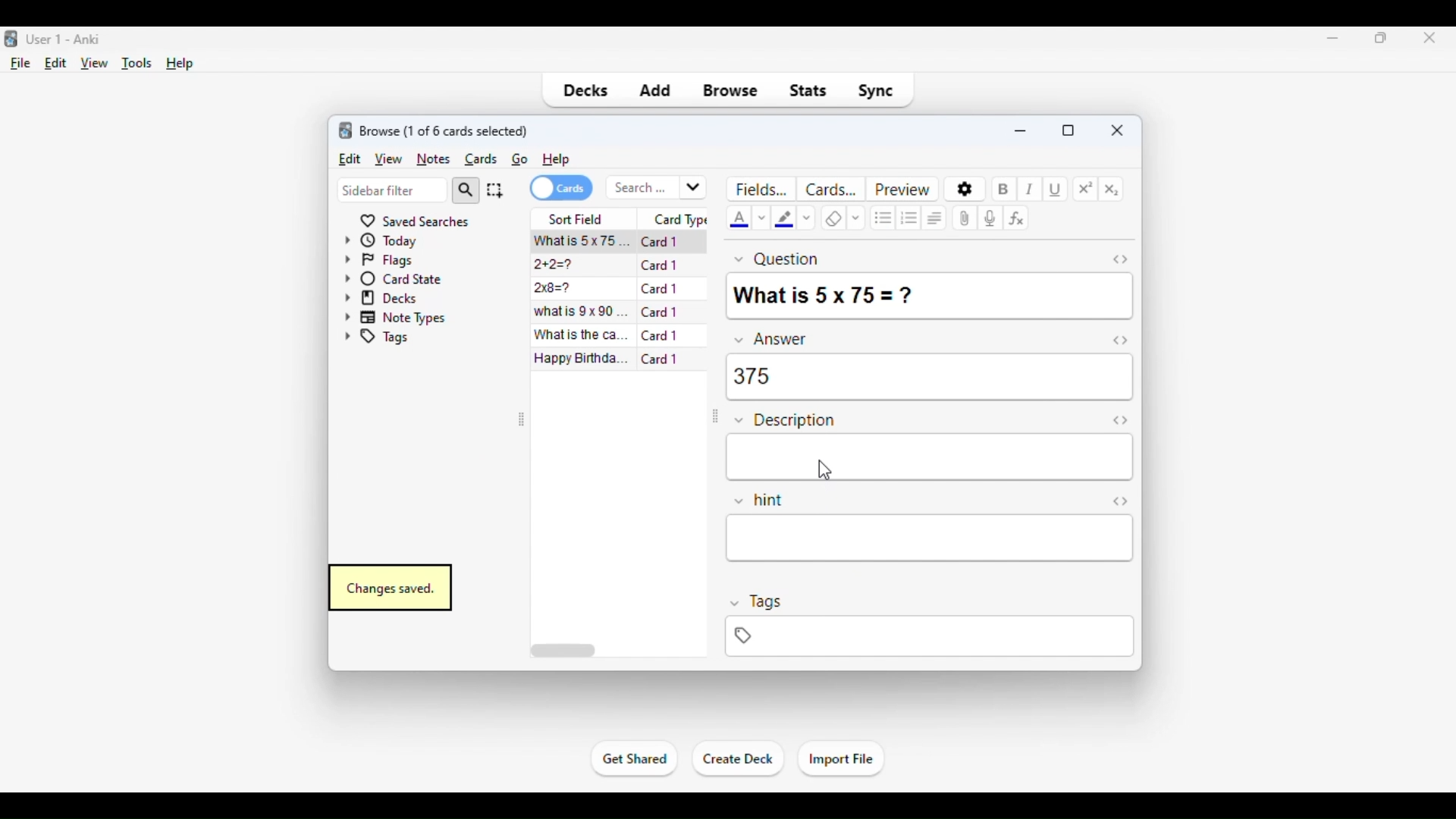 The width and height of the screenshot is (1456, 819). I want to click on help, so click(180, 64).